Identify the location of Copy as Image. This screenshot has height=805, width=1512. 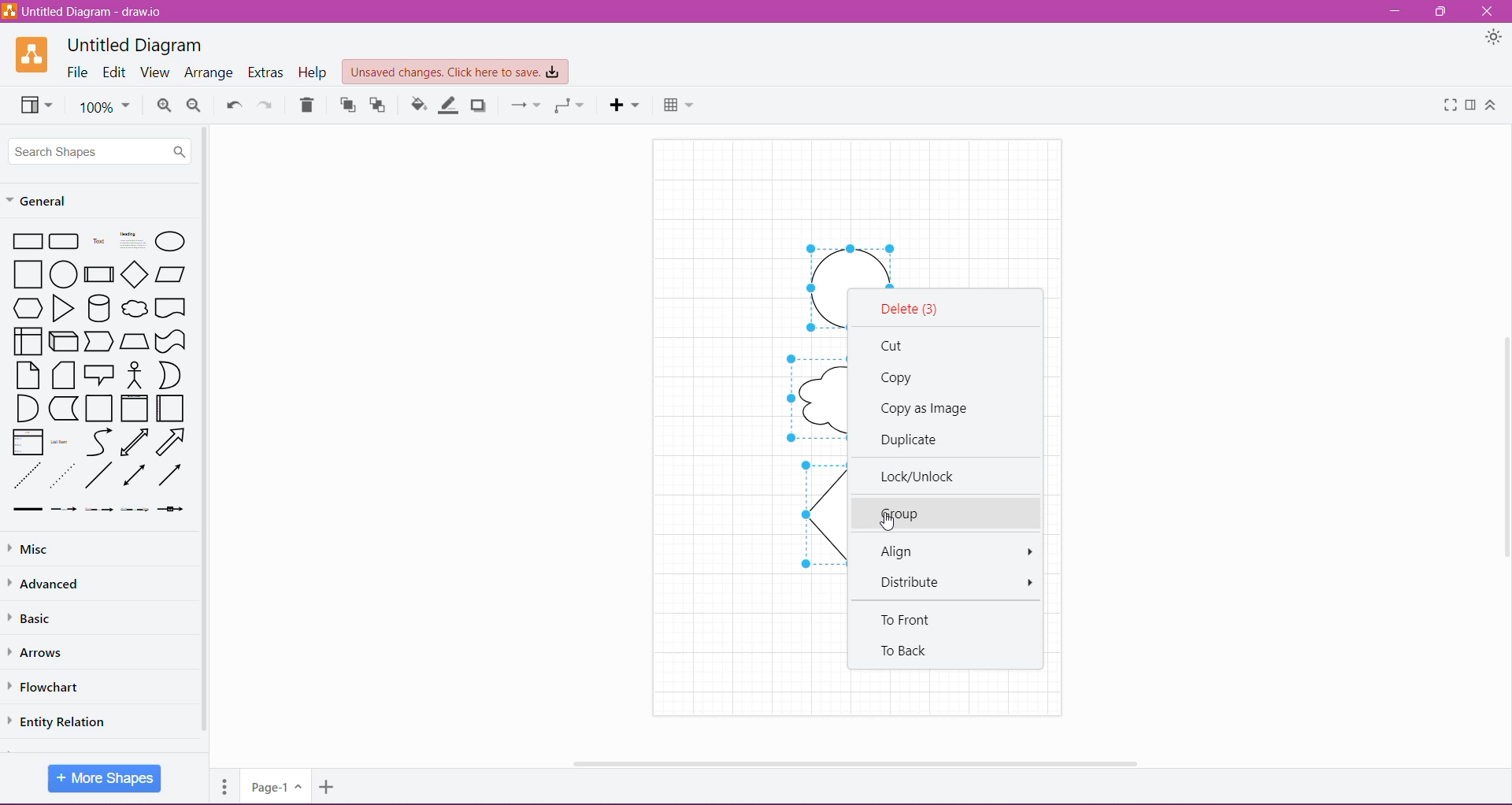
(927, 409).